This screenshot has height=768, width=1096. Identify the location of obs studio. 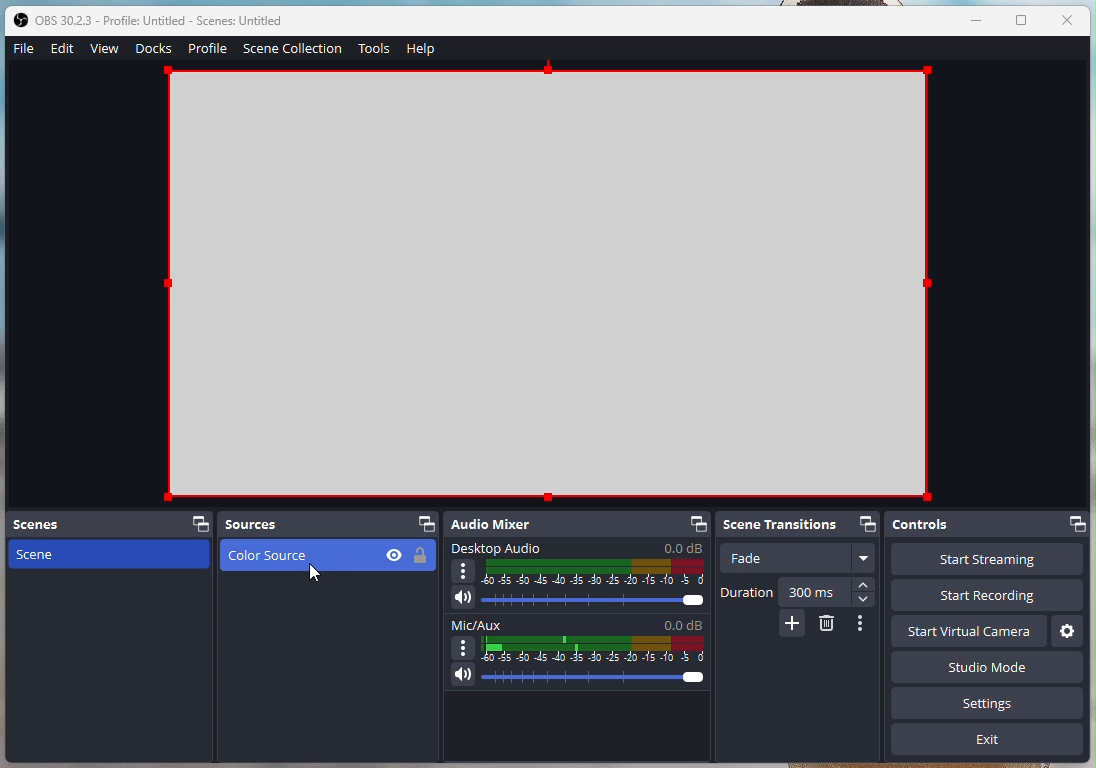
(169, 21).